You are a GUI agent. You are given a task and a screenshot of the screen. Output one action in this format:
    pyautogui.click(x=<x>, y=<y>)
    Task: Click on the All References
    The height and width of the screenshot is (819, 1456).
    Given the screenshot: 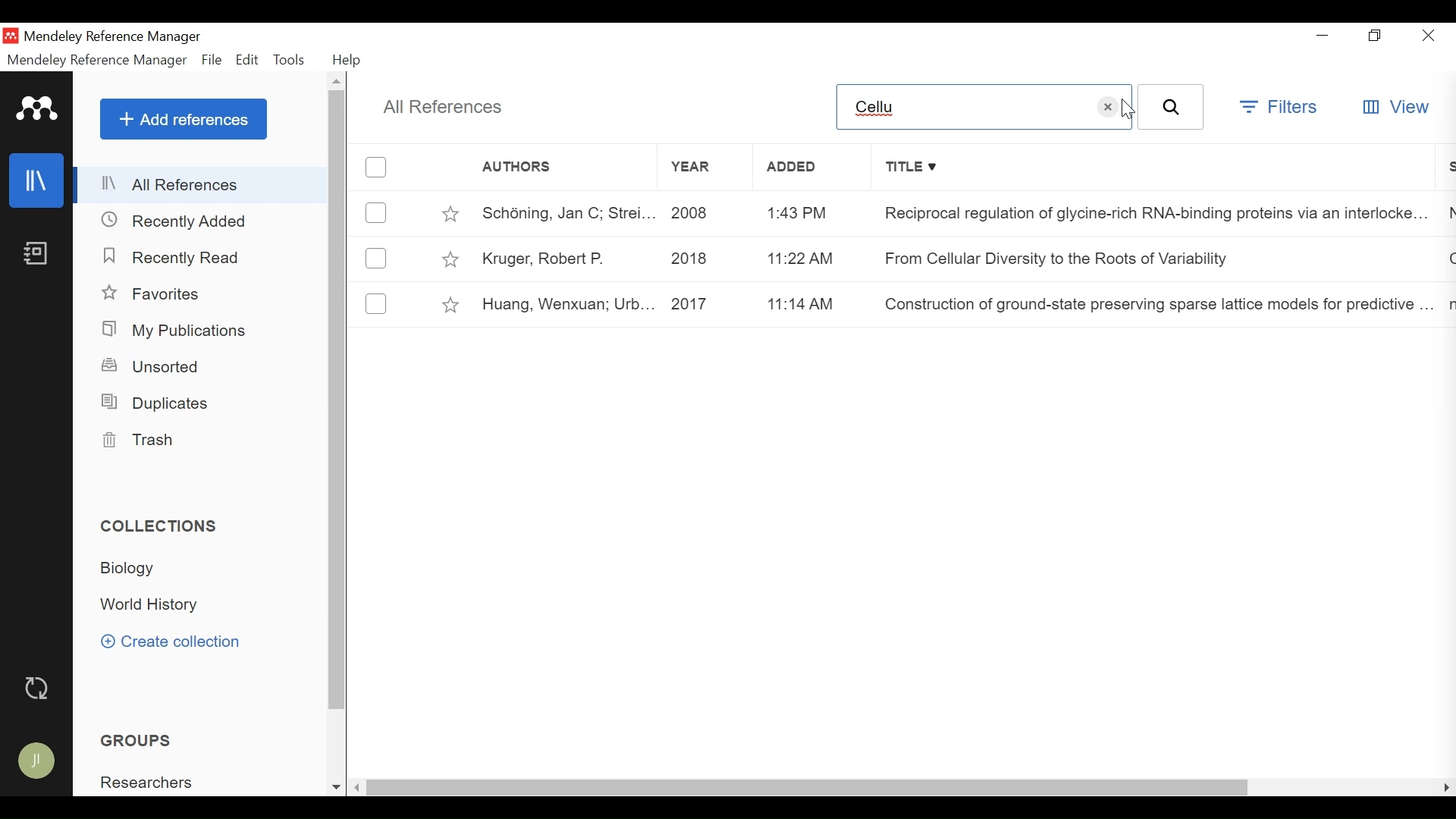 What is the action you would take?
    pyautogui.click(x=444, y=108)
    